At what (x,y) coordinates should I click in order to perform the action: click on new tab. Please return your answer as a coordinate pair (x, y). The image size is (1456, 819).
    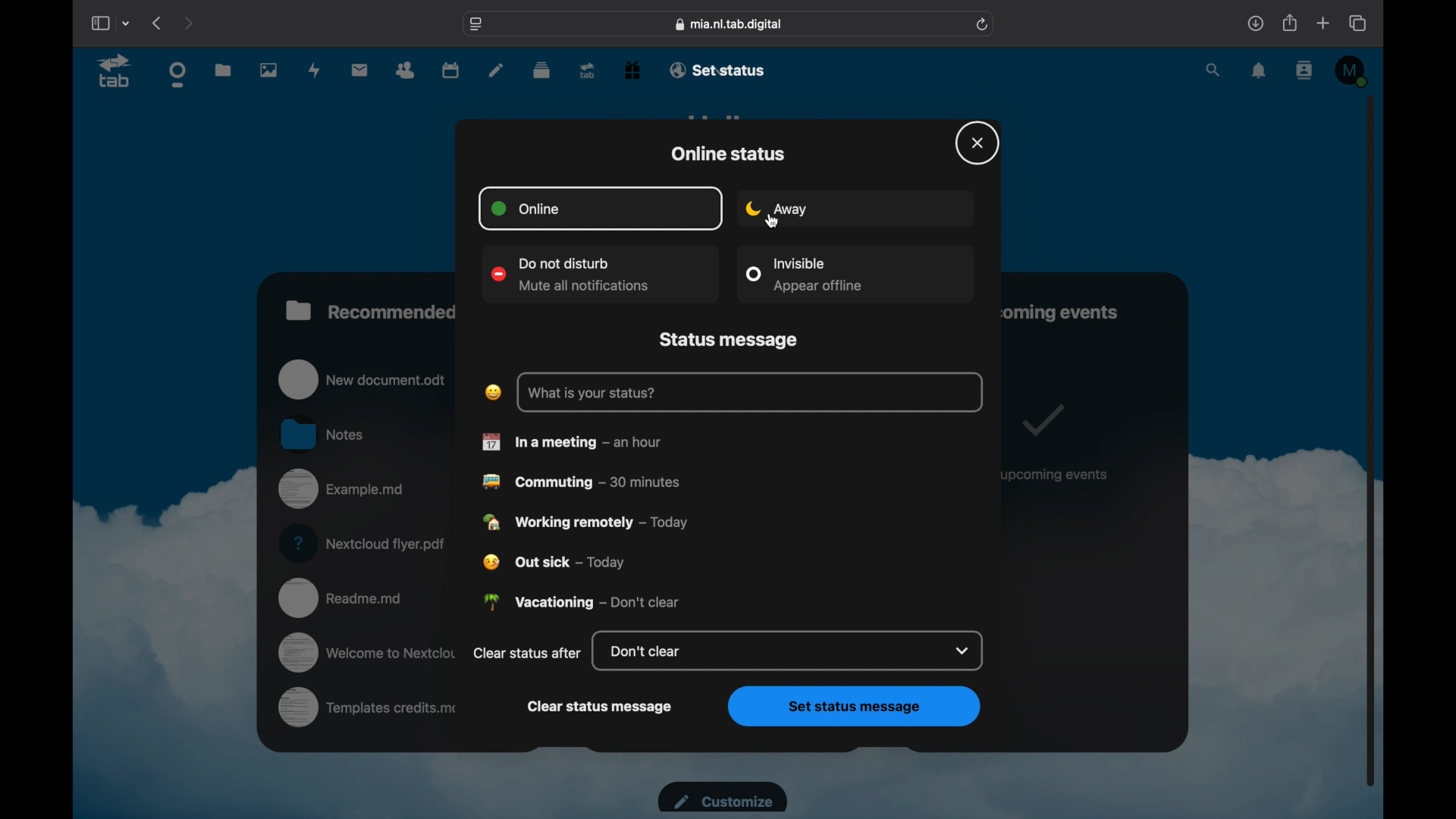
    Looking at the image, I should click on (1324, 24).